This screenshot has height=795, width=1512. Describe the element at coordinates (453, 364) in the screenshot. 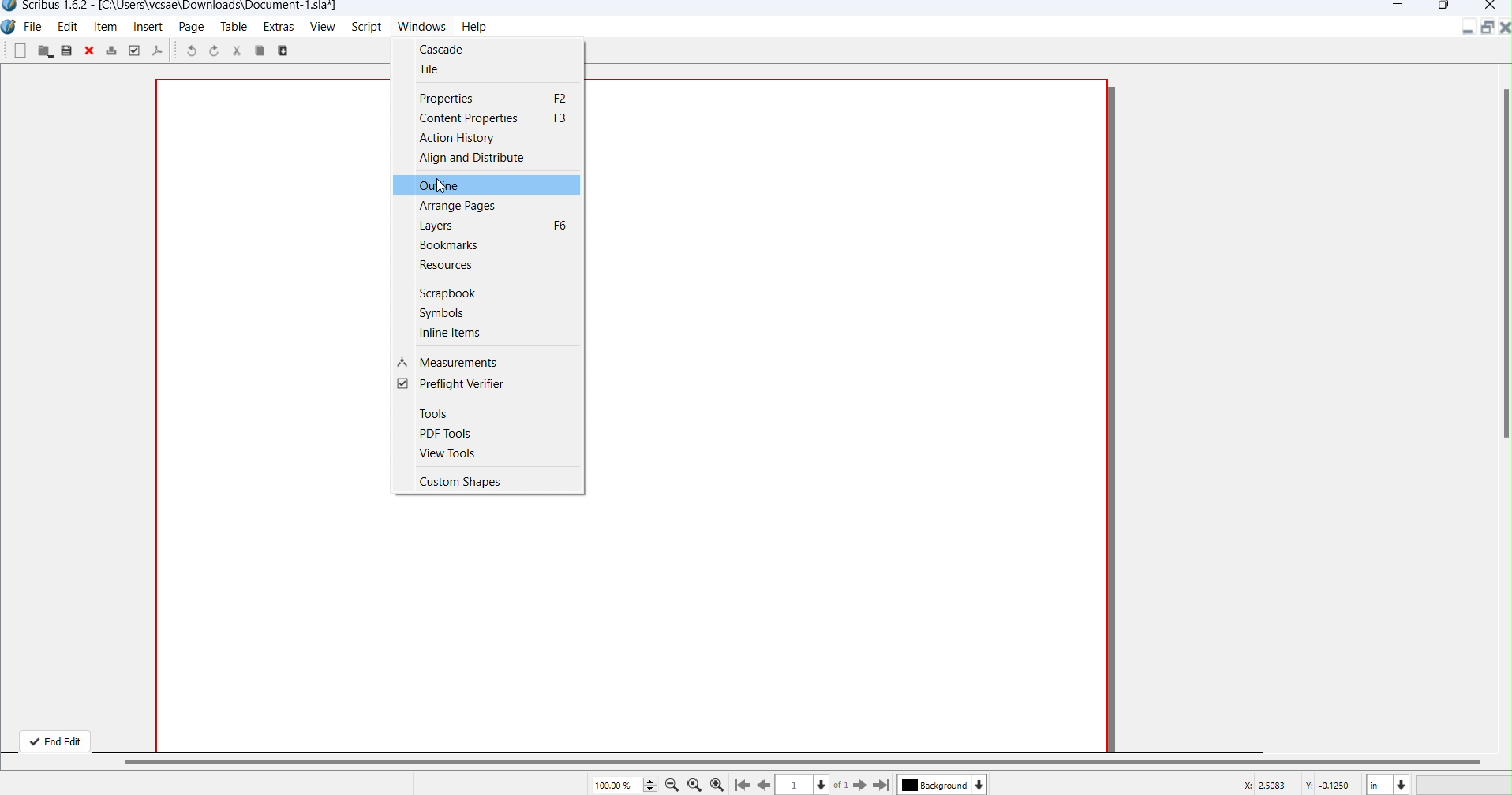

I see `Measurements` at that location.